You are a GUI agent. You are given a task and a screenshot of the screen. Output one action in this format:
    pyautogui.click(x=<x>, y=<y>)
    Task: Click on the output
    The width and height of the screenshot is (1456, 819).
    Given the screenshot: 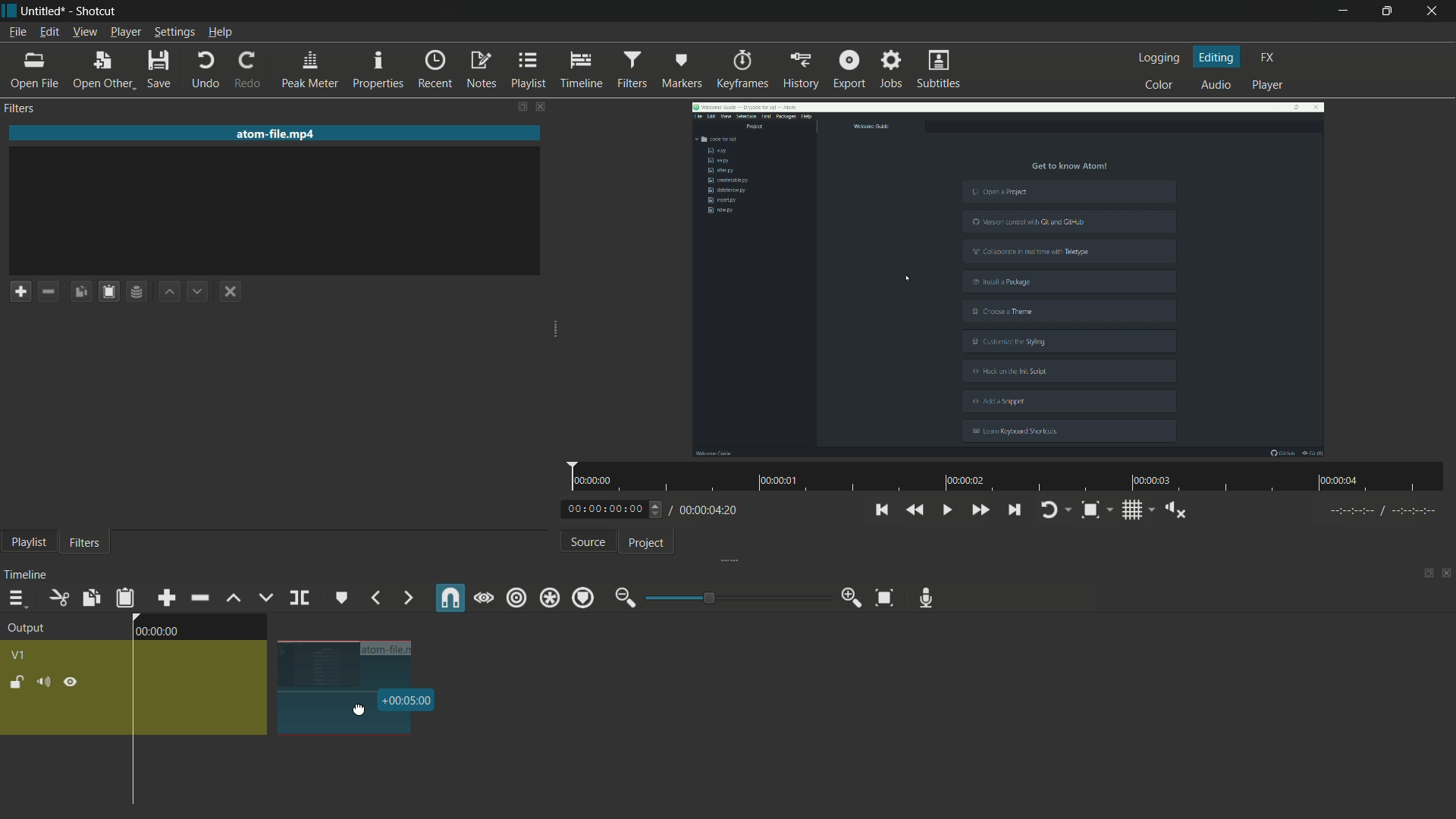 What is the action you would take?
    pyautogui.click(x=25, y=628)
    